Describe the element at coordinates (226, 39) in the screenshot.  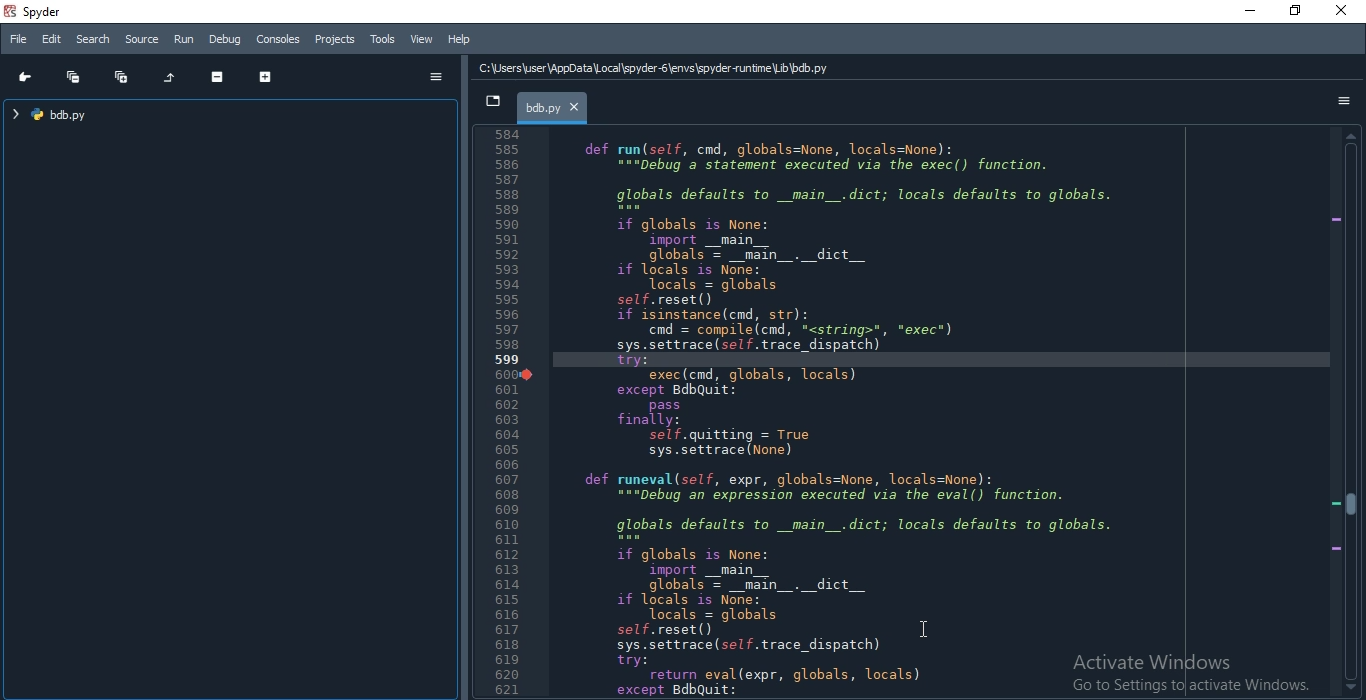
I see `Debug` at that location.